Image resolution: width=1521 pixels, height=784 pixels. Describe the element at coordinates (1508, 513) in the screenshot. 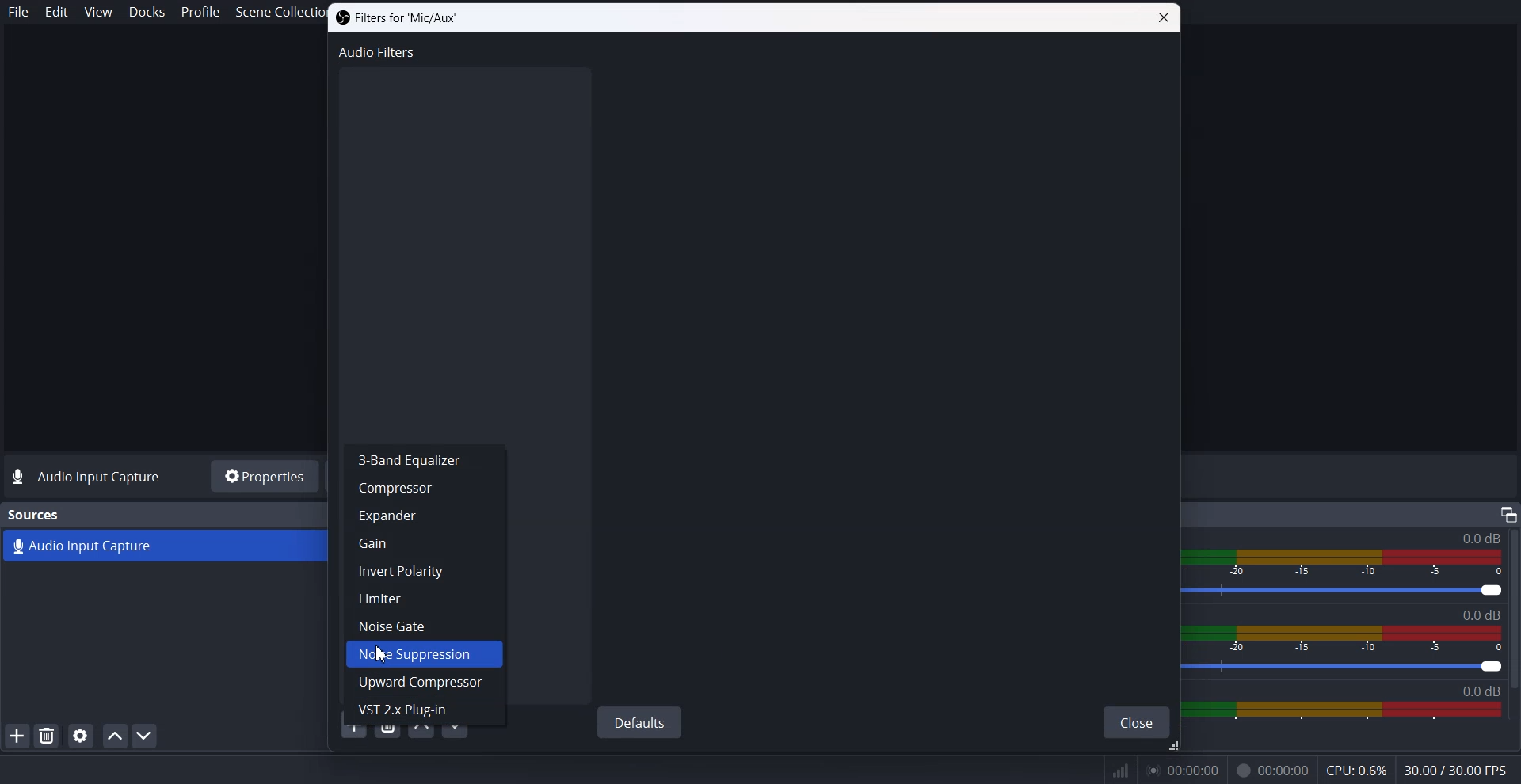

I see `` at that location.